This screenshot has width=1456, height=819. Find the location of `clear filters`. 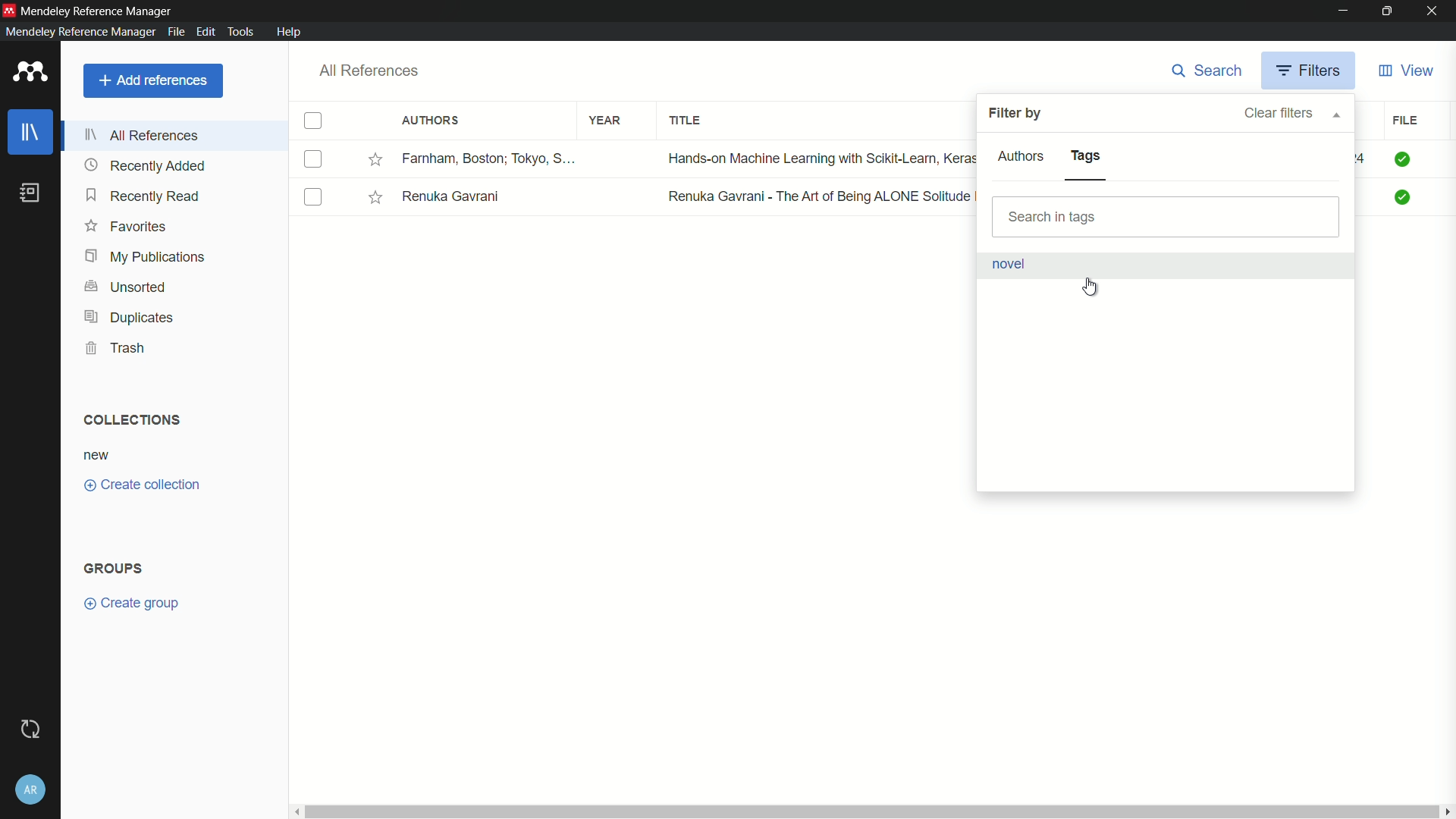

clear filters is located at coordinates (1291, 113).